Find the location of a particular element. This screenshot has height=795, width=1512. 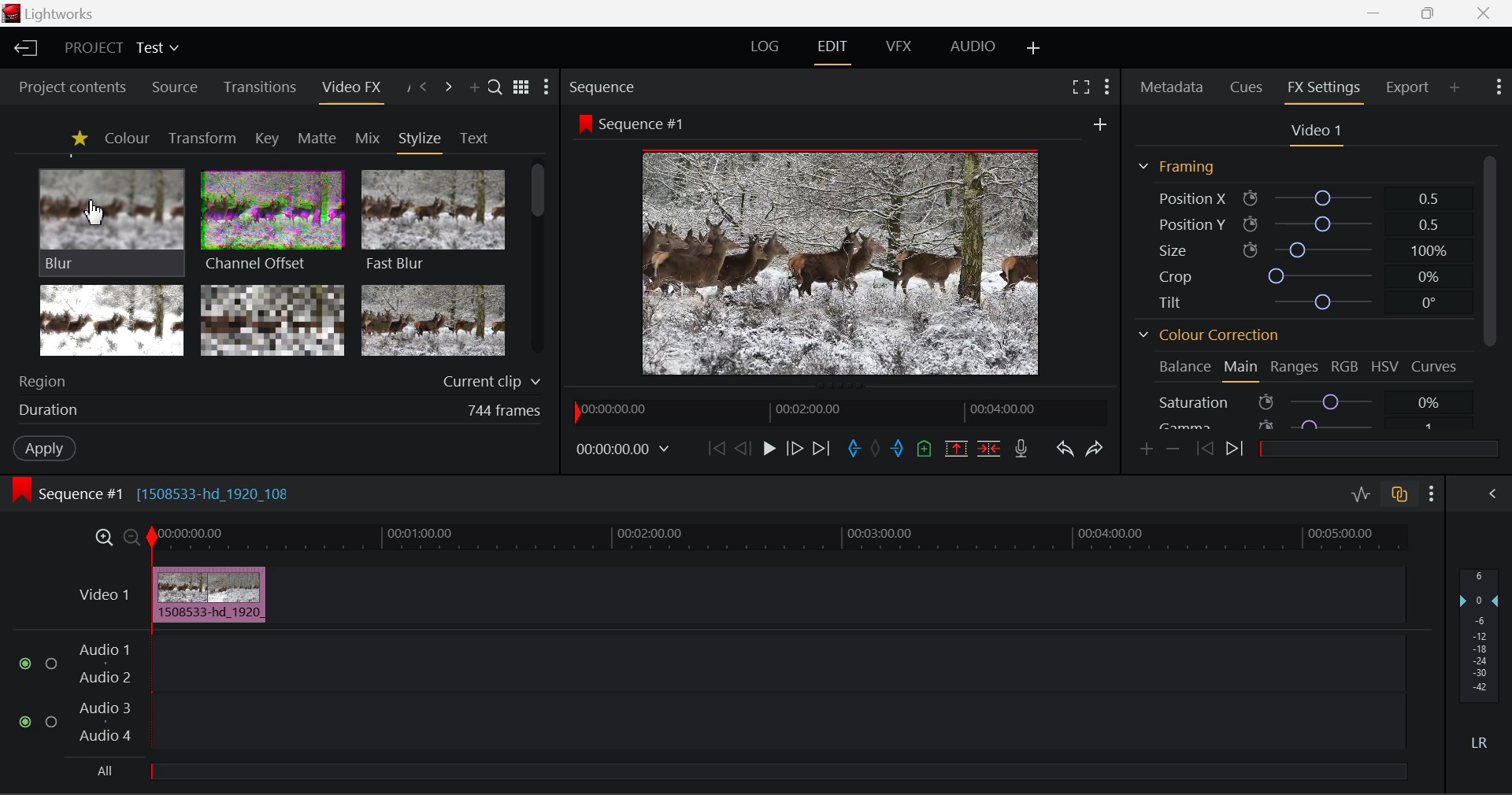

Tilt is located at coordinates (1295, 304).